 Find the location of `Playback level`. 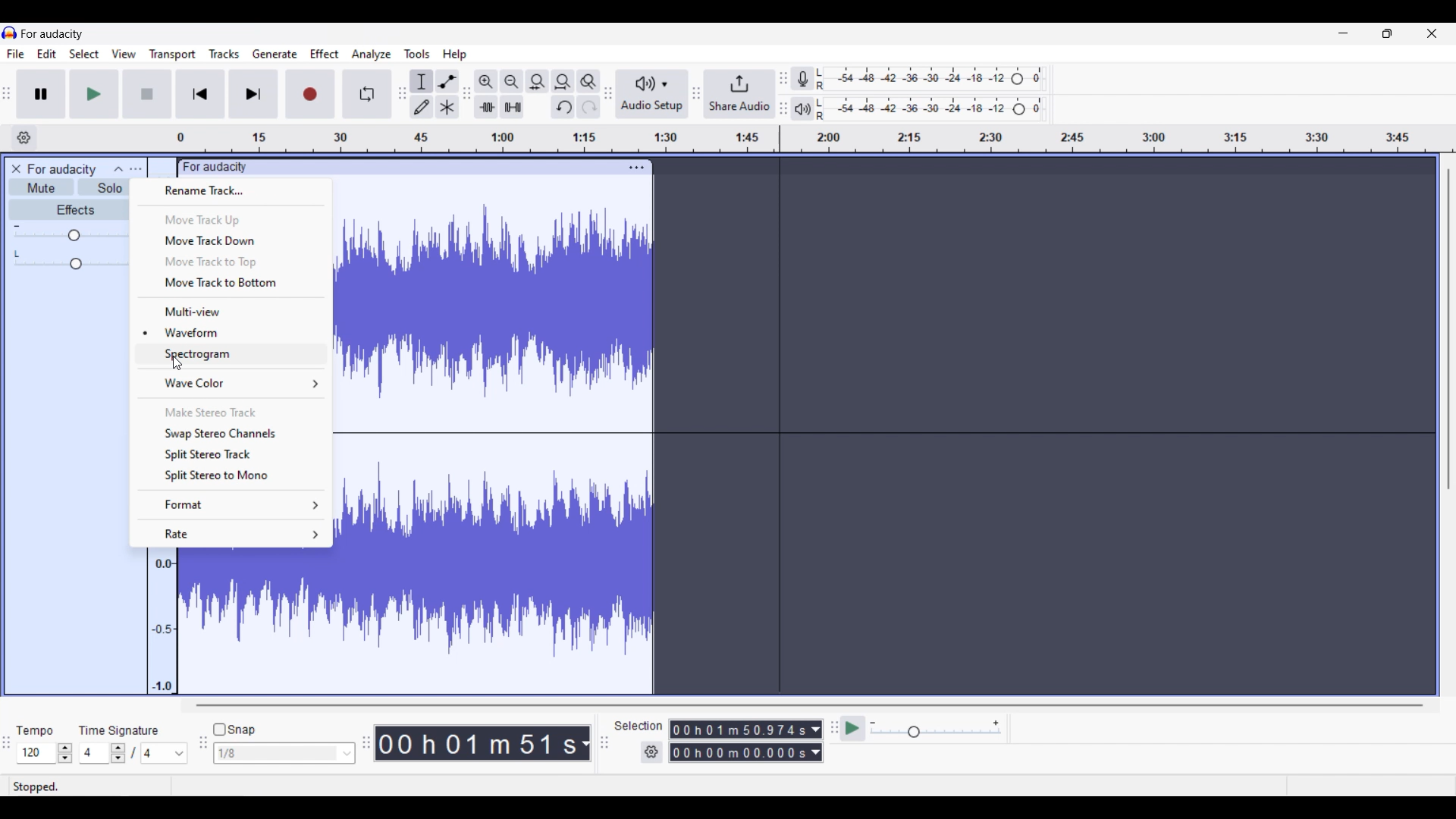

Playback level is located at coordinates (934, 108).